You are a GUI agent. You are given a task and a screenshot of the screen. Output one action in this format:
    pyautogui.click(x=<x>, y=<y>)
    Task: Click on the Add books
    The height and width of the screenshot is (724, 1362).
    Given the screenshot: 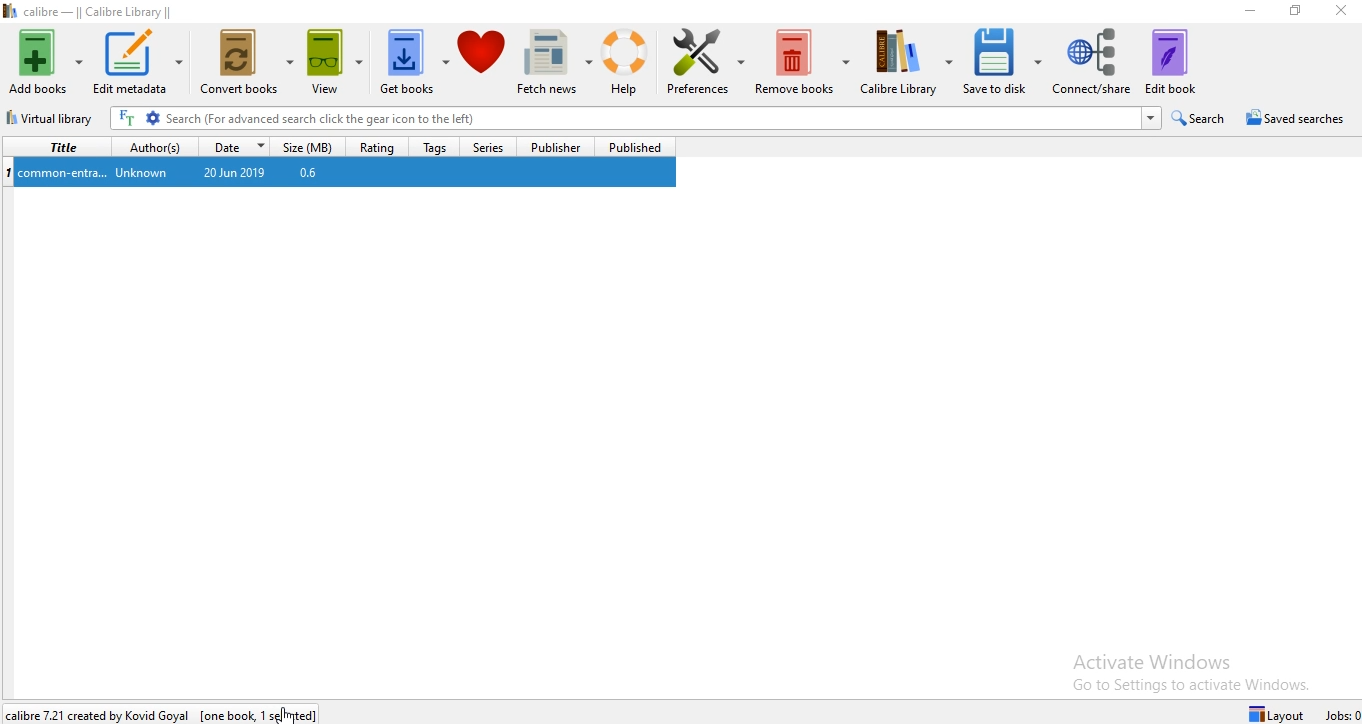 What is the action you would take?
    pyautogui.click(x=46, y=58)
    